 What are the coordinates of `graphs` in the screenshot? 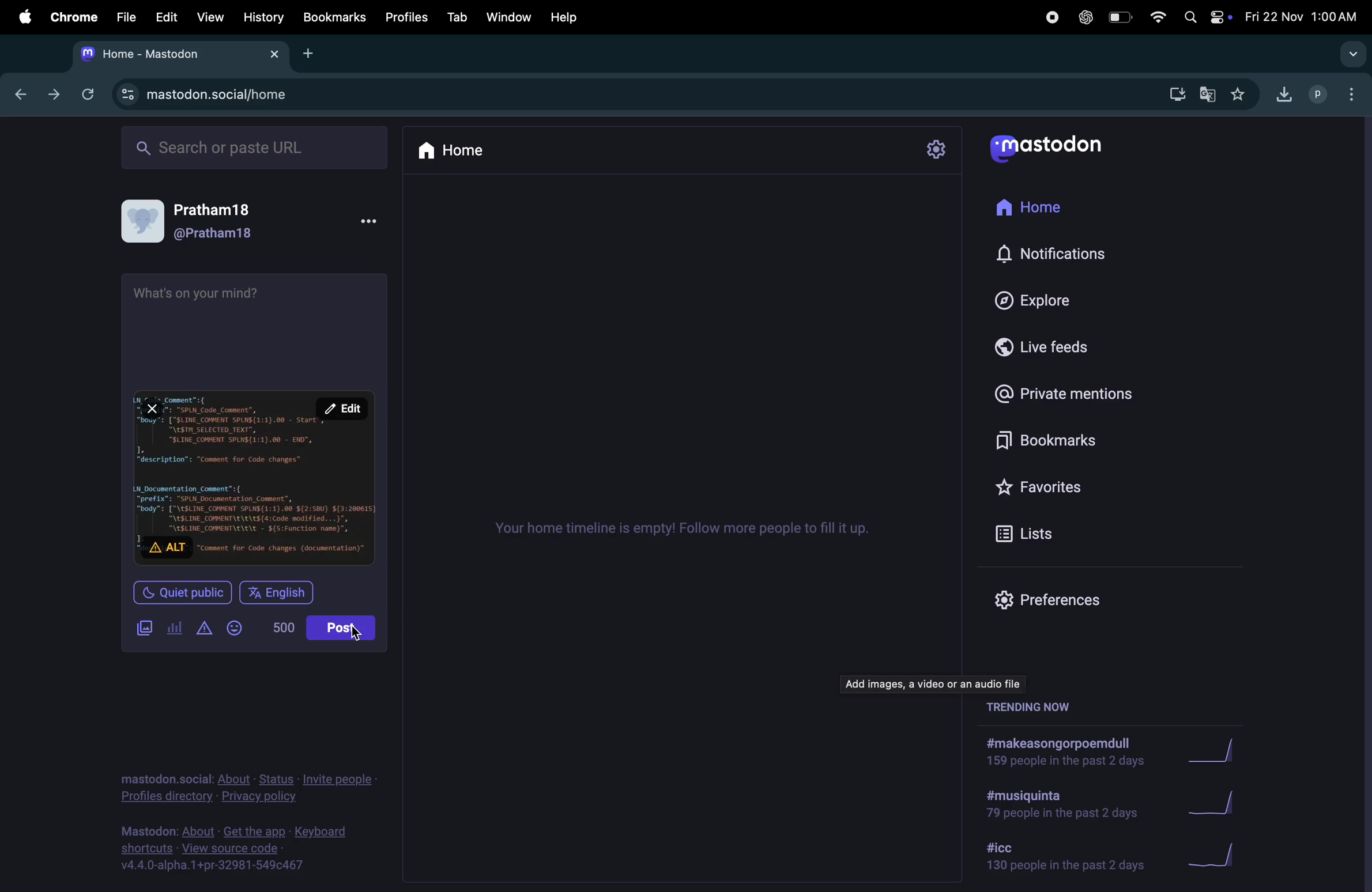 It's located at (1217, 752).